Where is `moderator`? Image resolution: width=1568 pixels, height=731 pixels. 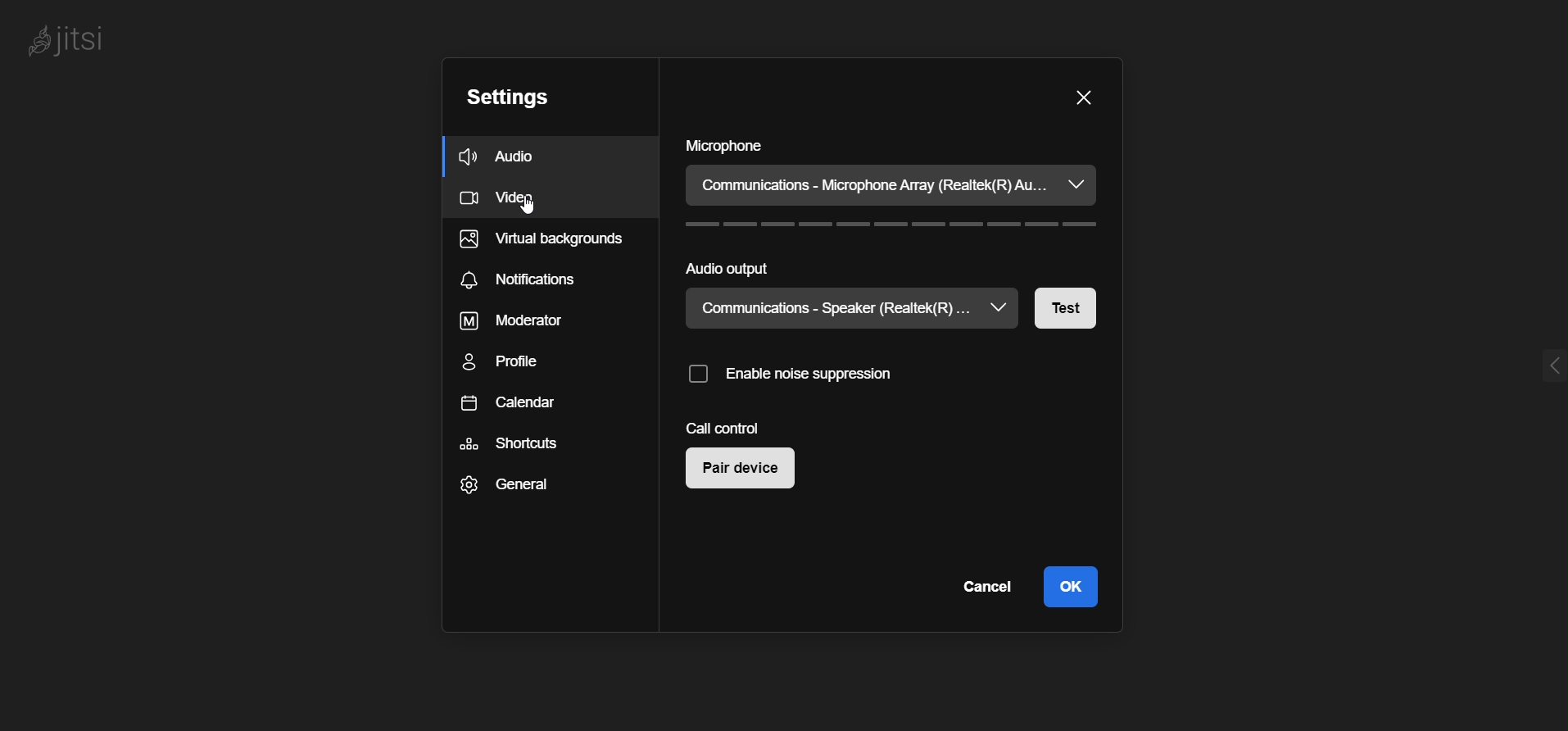 moderator is located at coordinates (524, 323).